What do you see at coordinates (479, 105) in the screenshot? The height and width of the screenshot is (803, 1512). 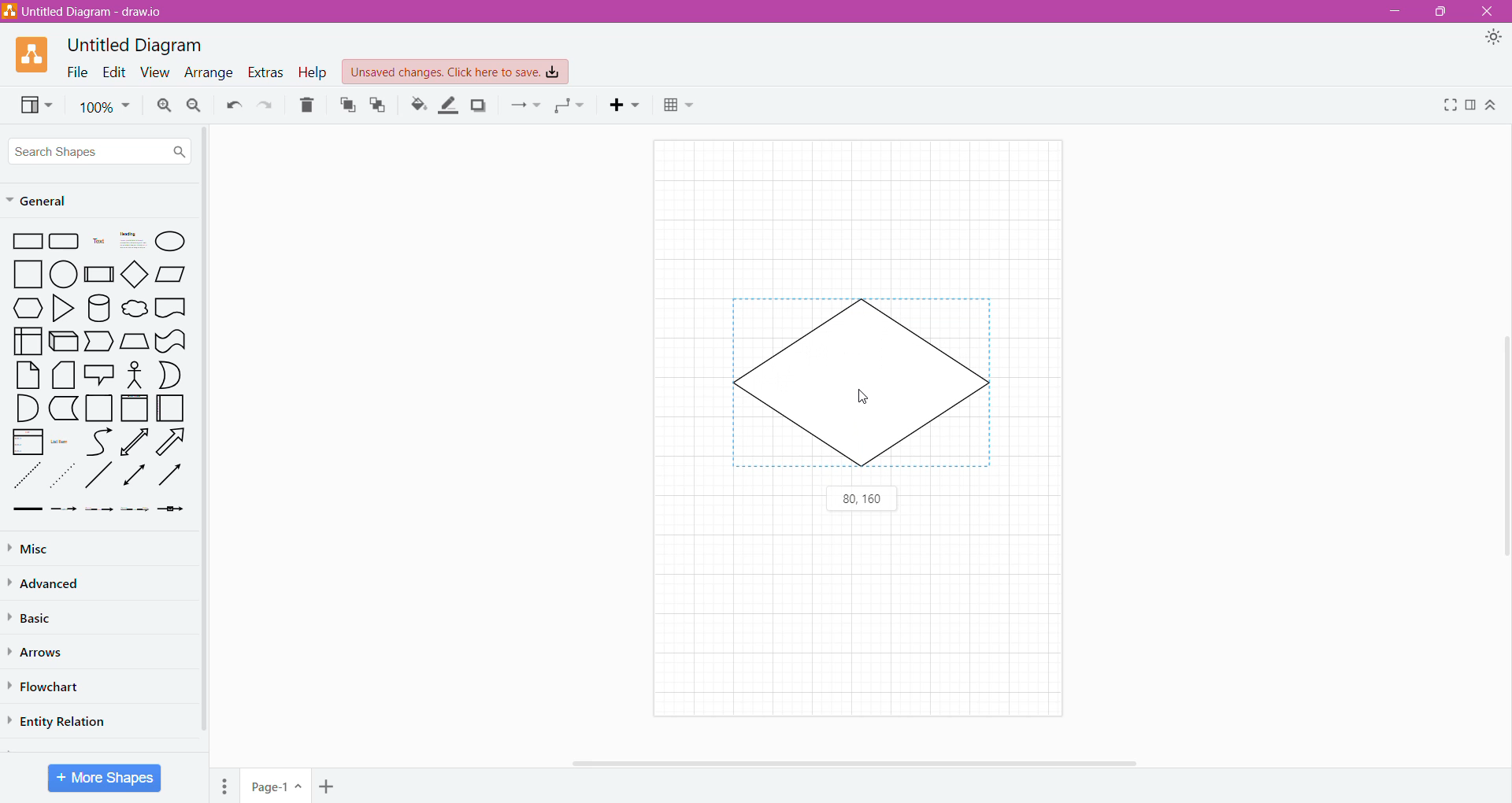 I see `Shadow` at bounding box center [479, 105].